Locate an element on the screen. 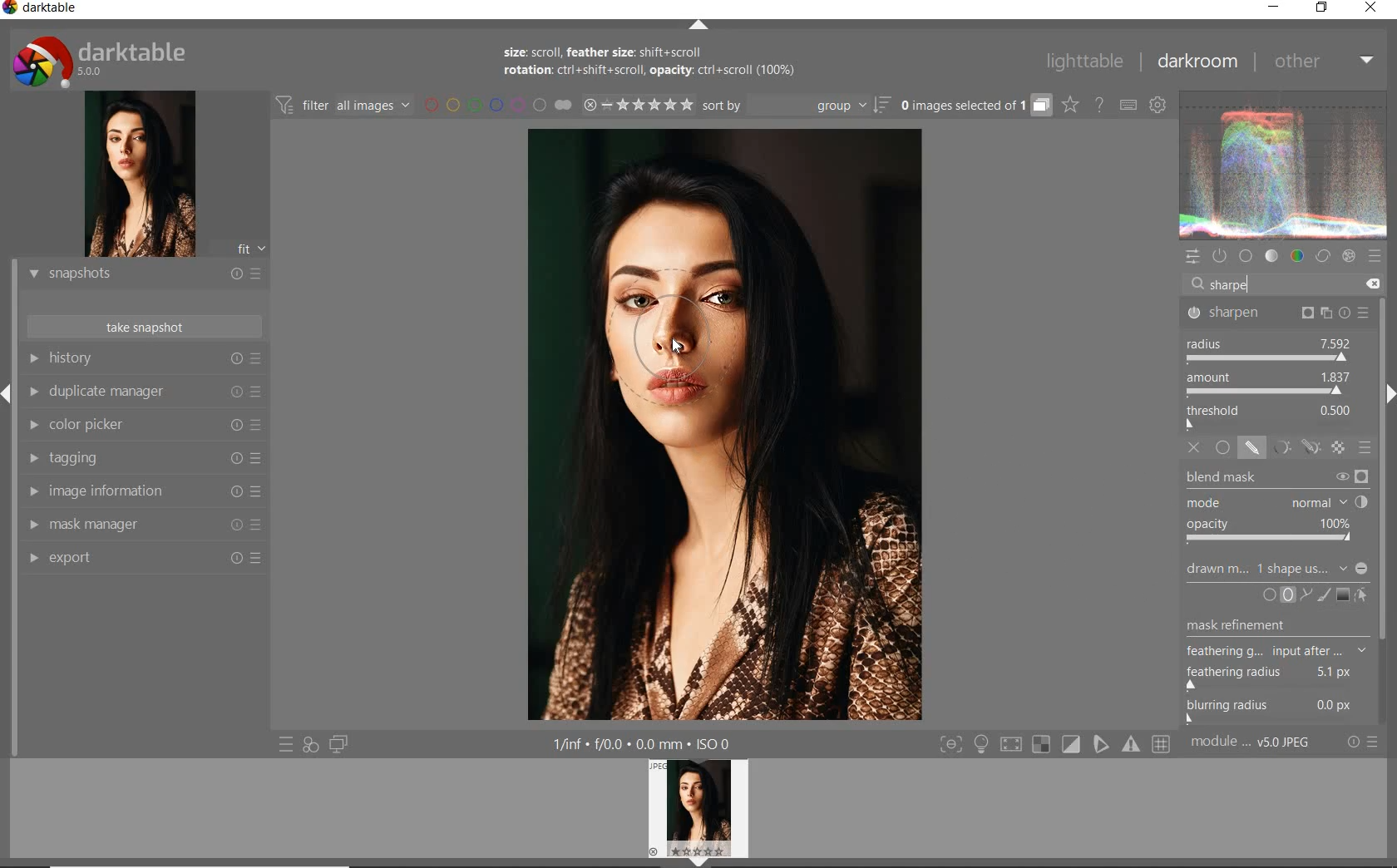 The width and height of the screenshot is (1397, 868). task bar is located at coordinates (1385, 512).